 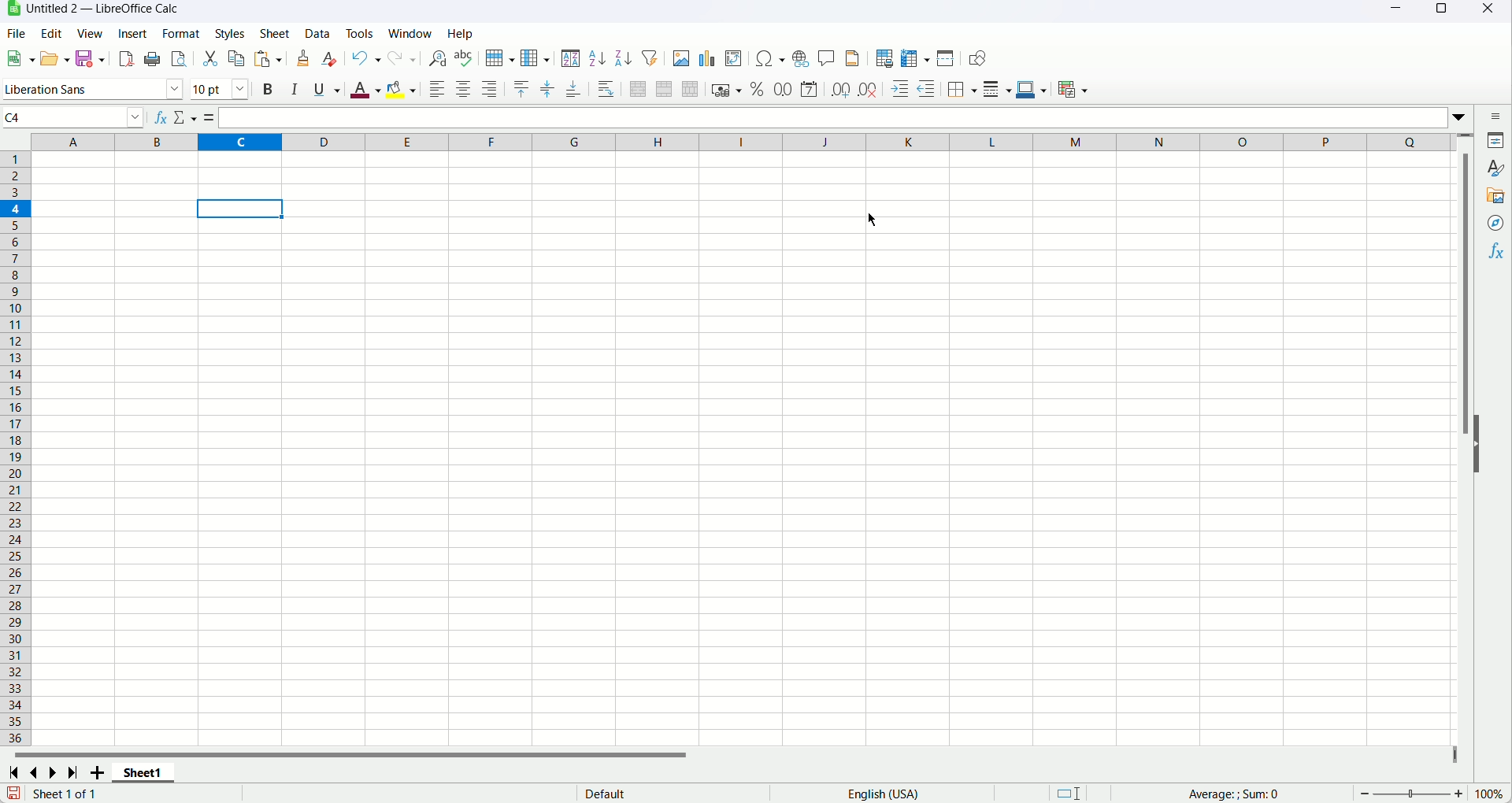 I want to click on Format as currency, so click(x=727, y=89).